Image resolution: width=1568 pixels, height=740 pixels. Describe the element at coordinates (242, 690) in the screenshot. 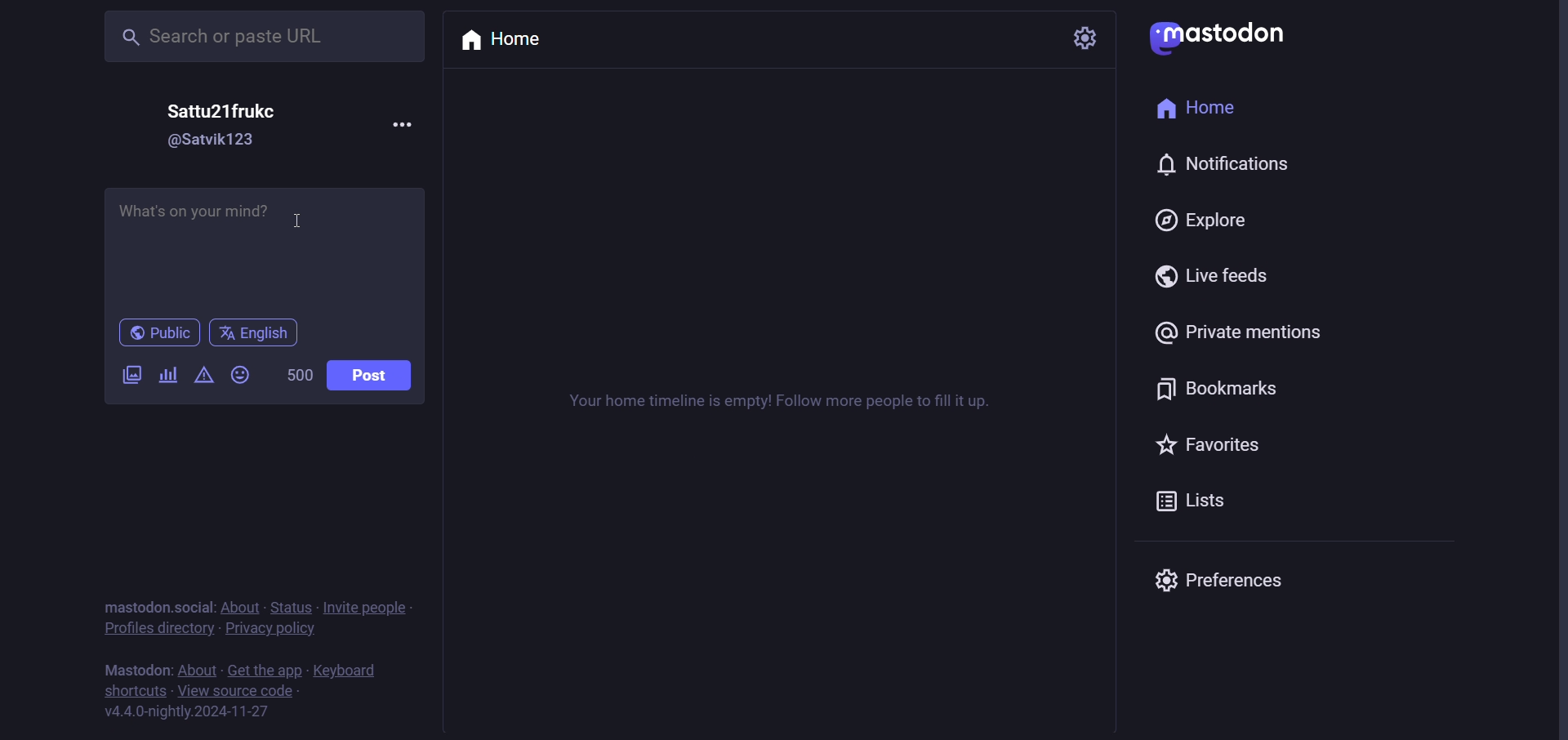

I see `View source code ` at that location.